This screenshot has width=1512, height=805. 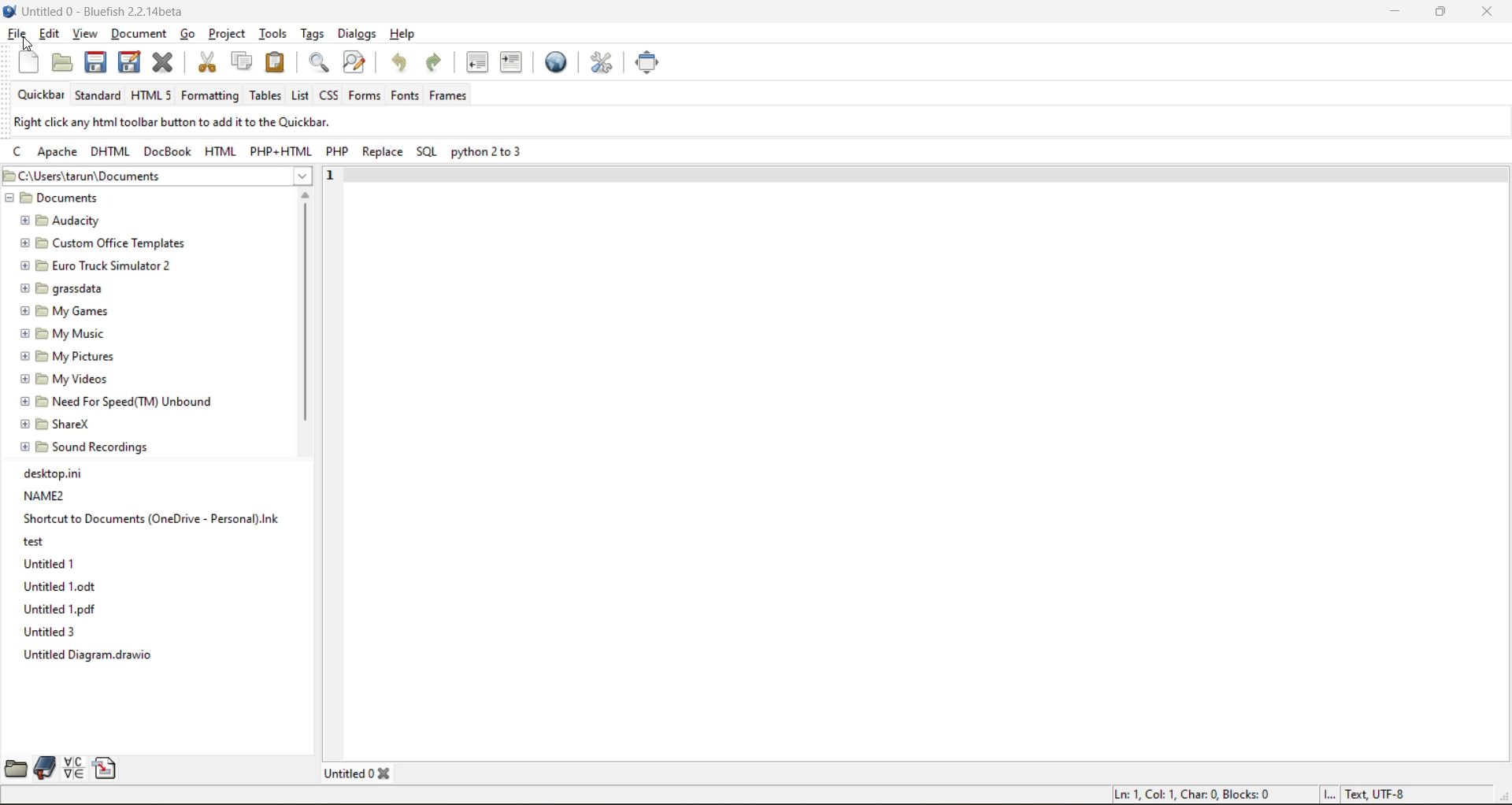 I want to click on Untitled Diagram.drawio, so click(x=91, y=655).